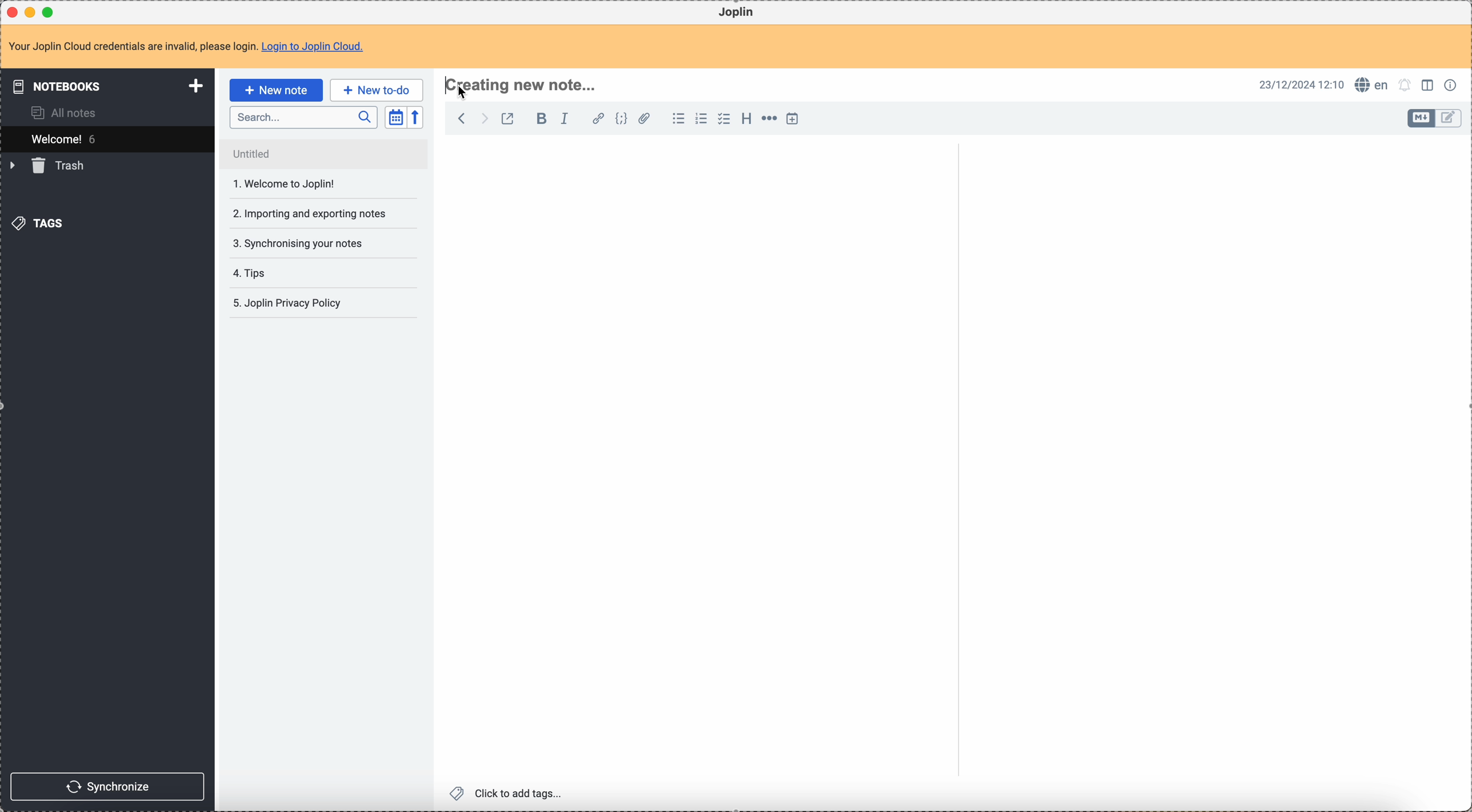 This screenshot has width=1472, height=812. What do you see at coordinates (1209, 475) in the screenshot?
I see `body ` at bounding box center [1209, 475].